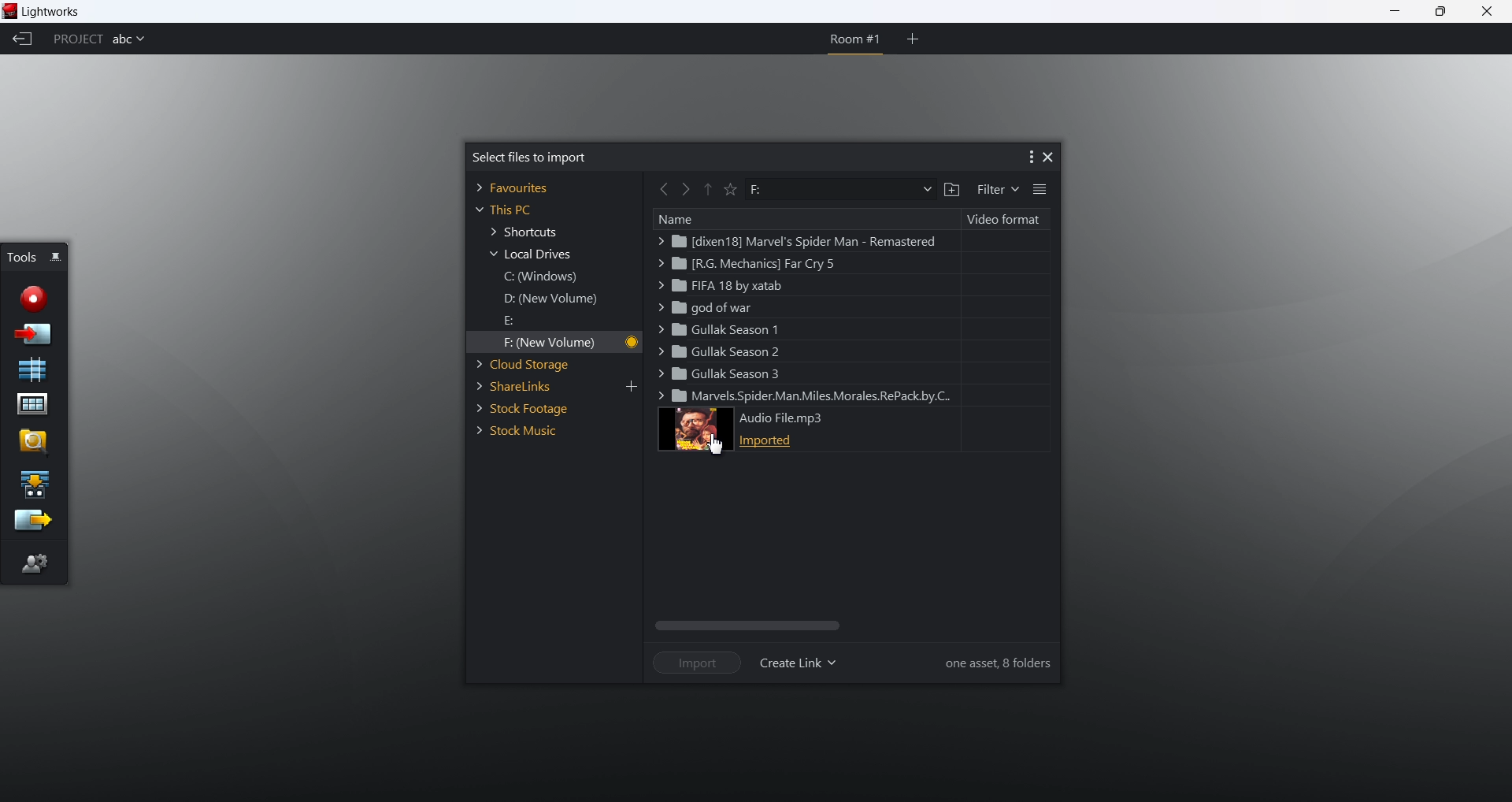  Describe the element at coordinates (526, 409) in the screenshot. I see `stock footage` at that location.